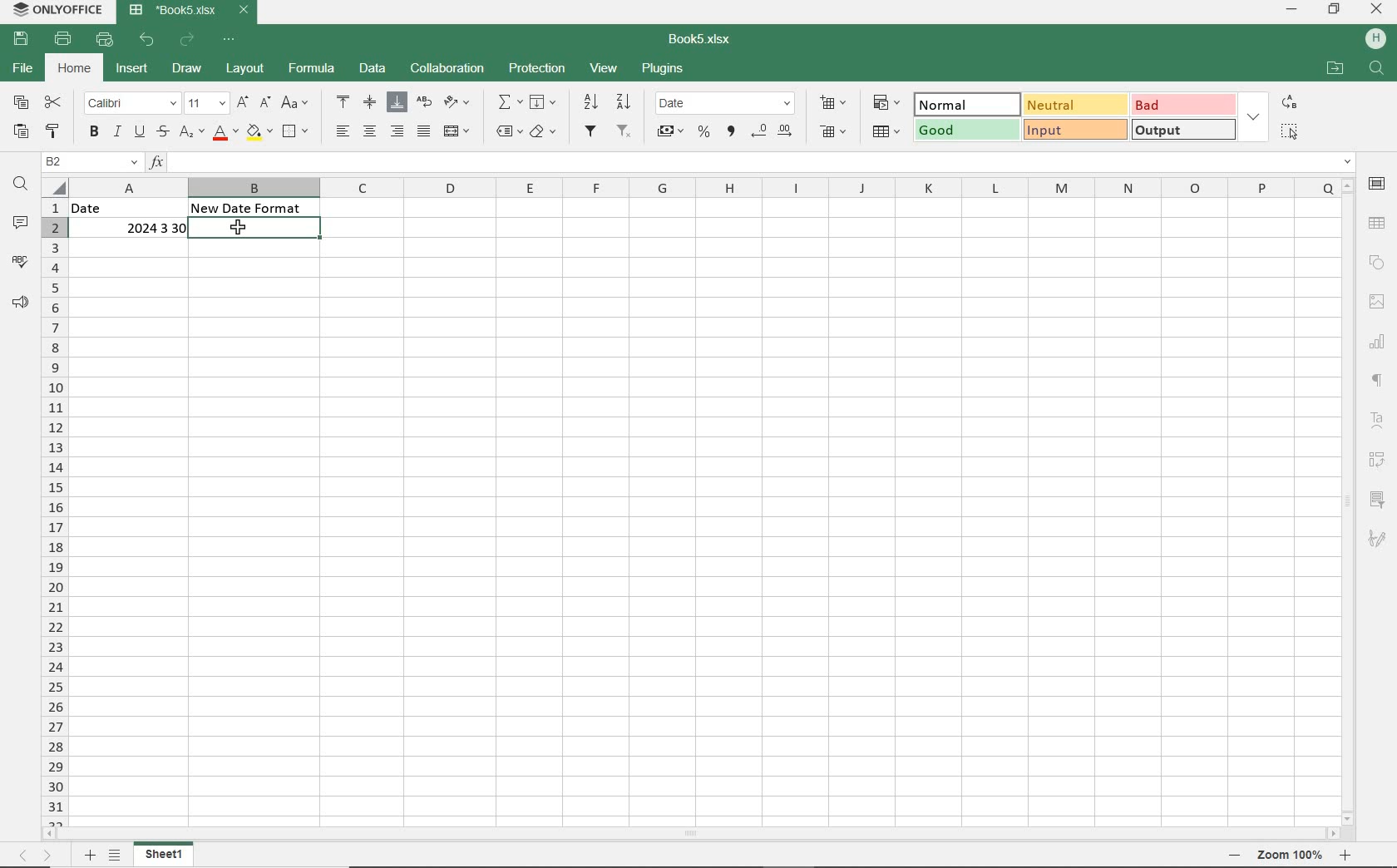  What do you see at coordinates (459, 101) in the screenshot?
I see `ORIENTATION` at bounding box center [459, 101].